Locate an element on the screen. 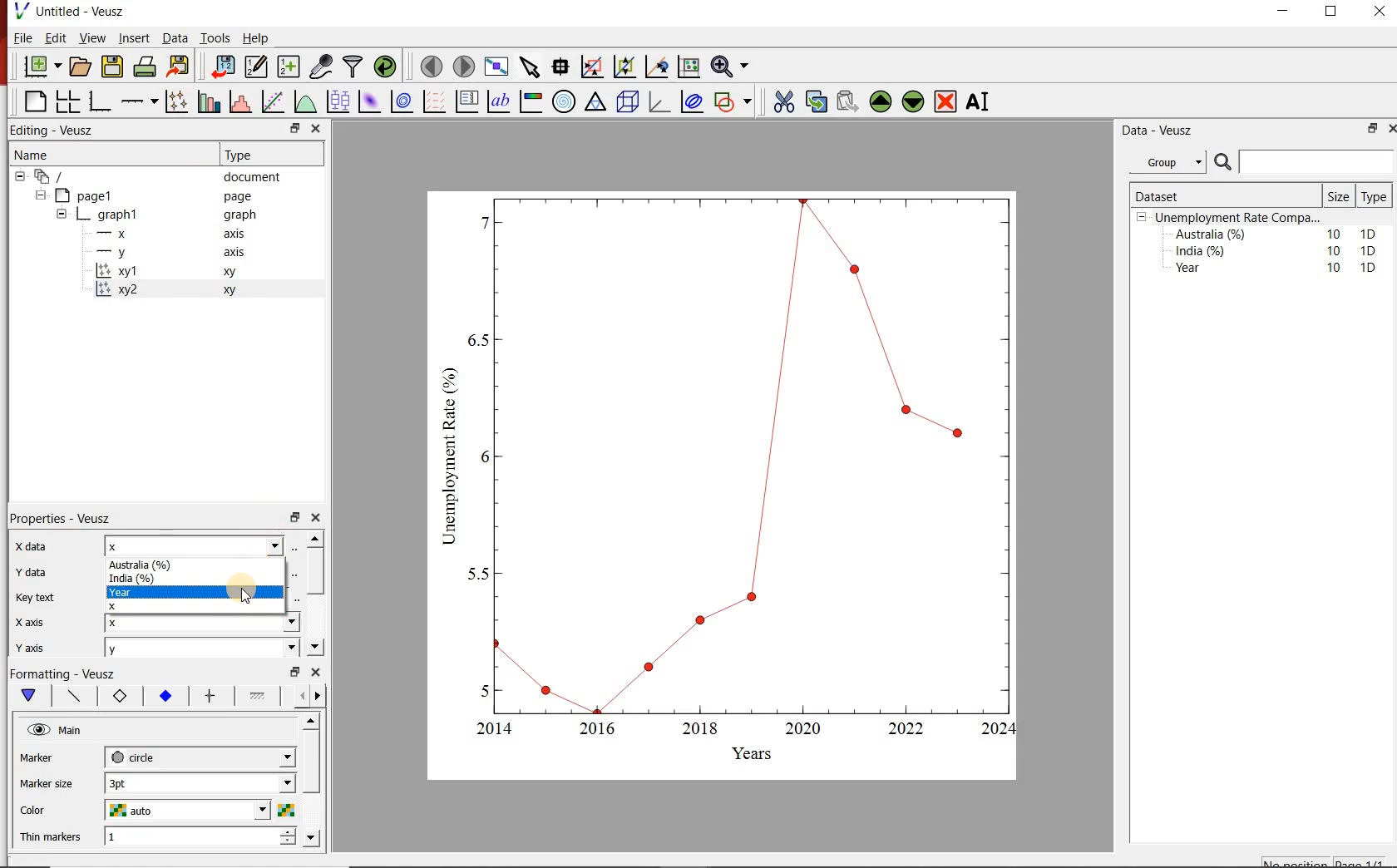 The height and width of the screenshot is (868, 1397). choose color is located at coordinates (285, 810).